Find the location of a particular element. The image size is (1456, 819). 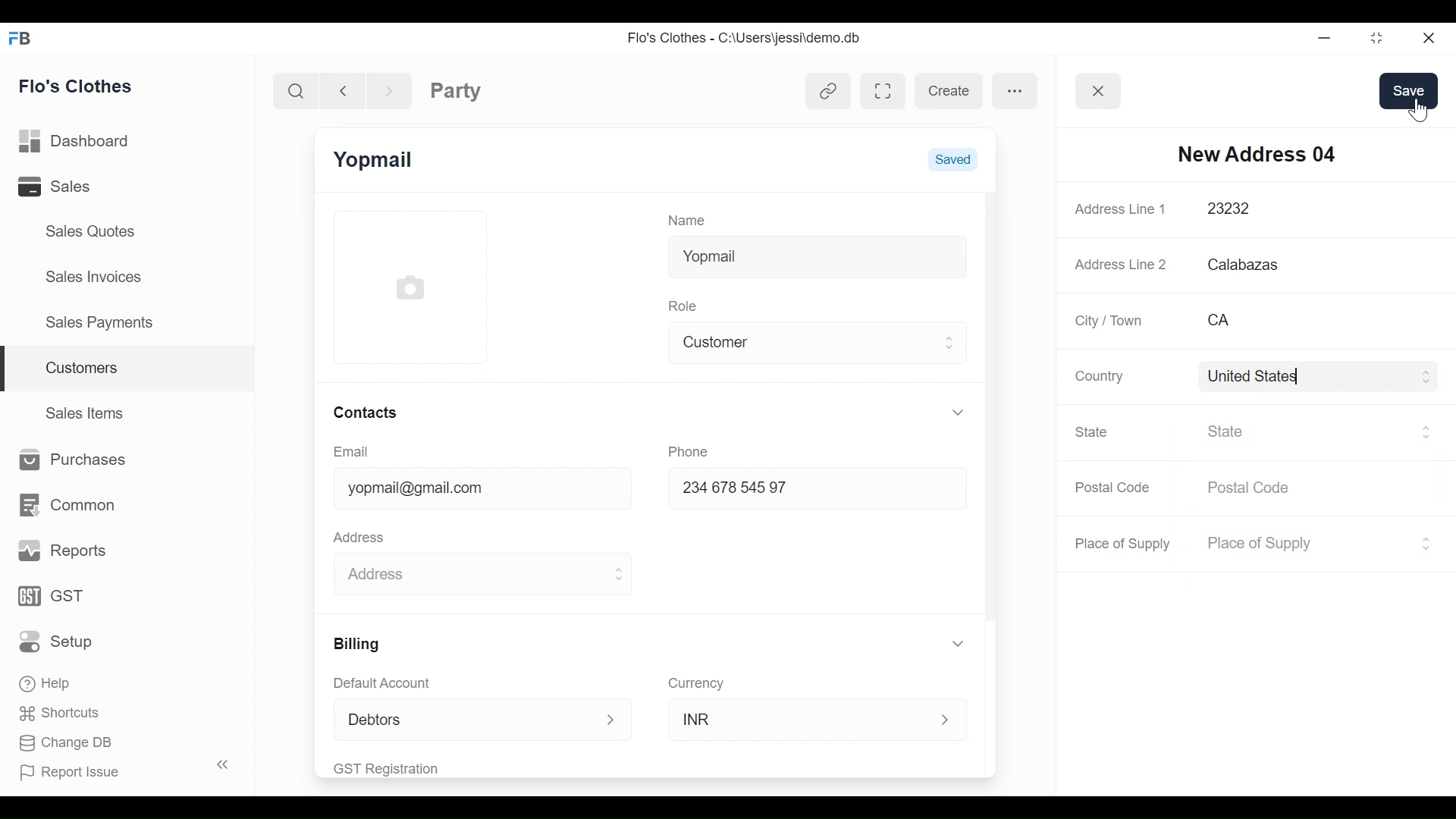

Navigate Forward is located at coordinates (389, 89).